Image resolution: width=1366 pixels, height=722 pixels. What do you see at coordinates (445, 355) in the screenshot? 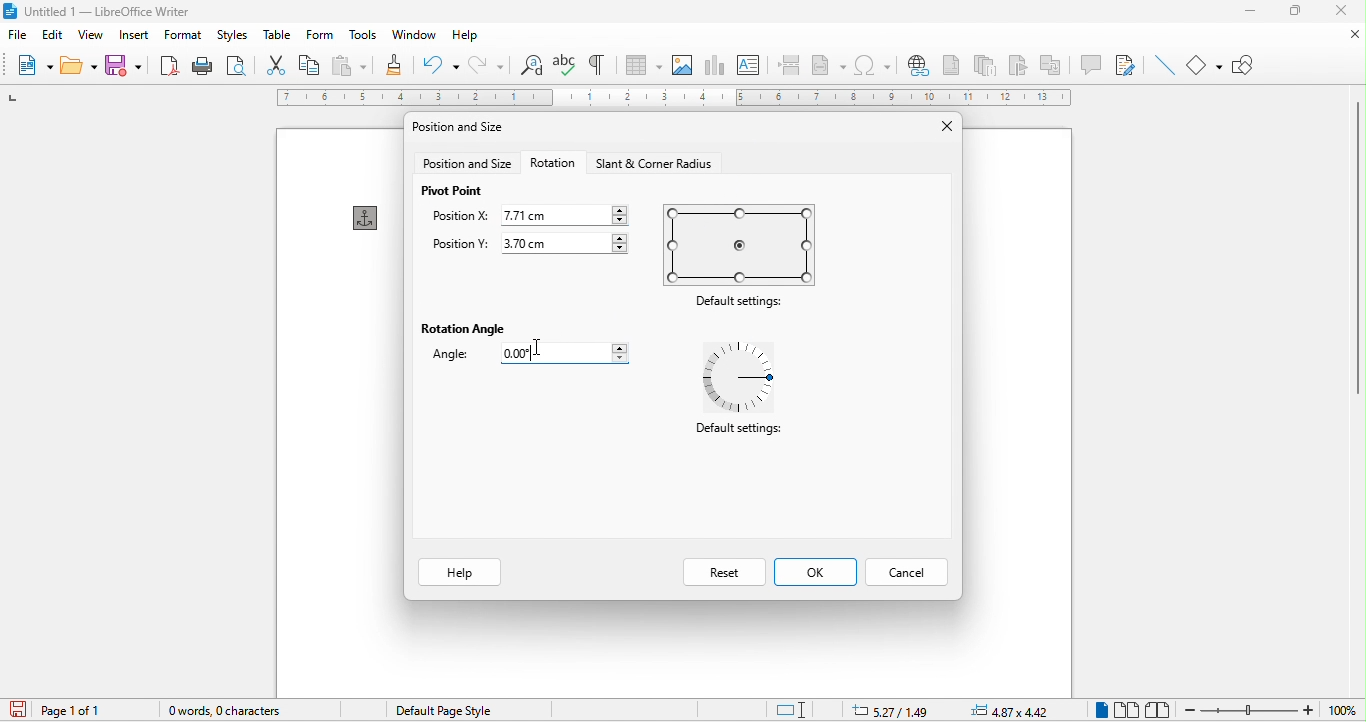
I see `angle` at bounding box center [445, 355].